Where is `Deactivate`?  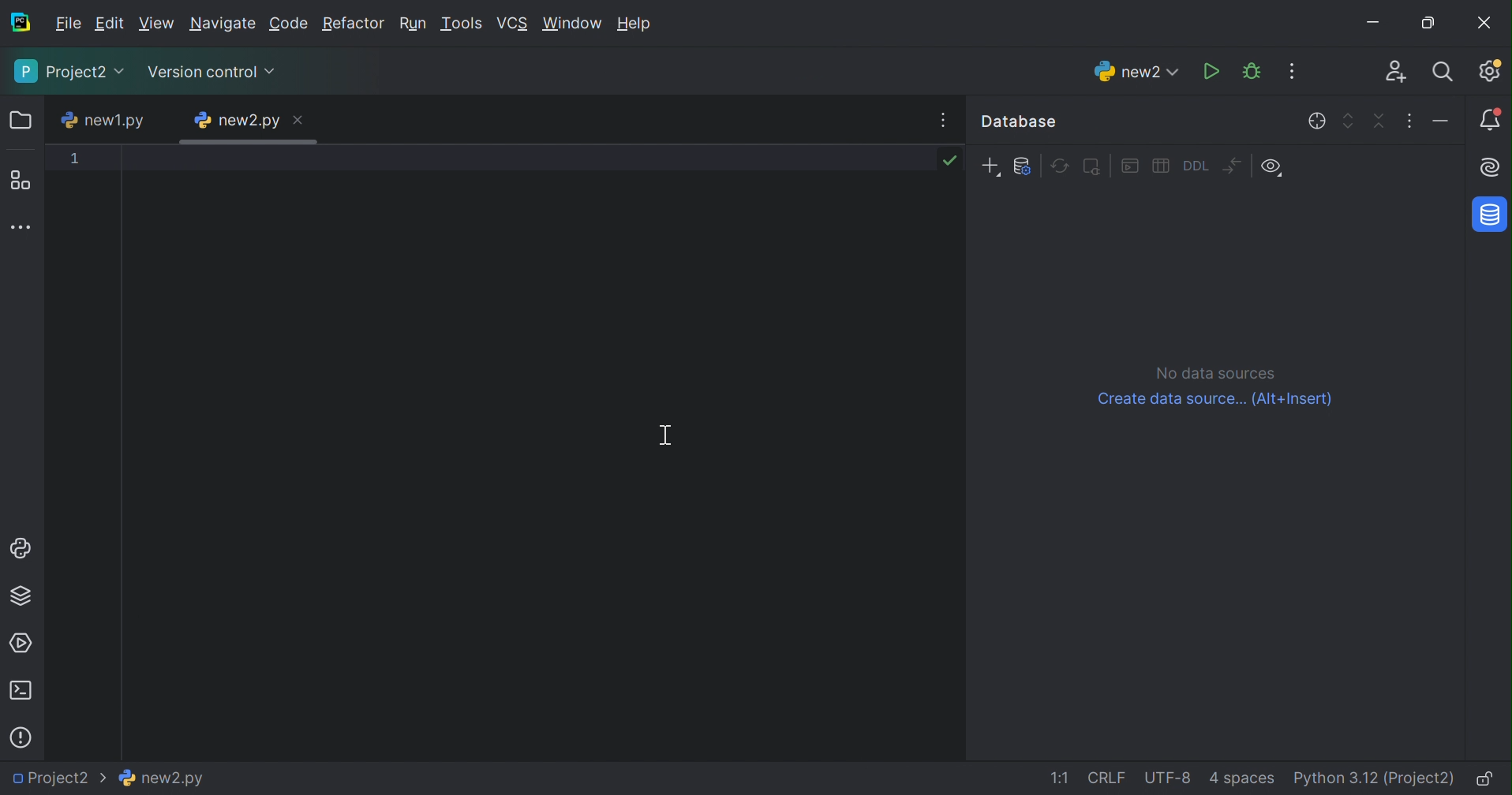 Deactivate is located at coordinates (1091, 166).